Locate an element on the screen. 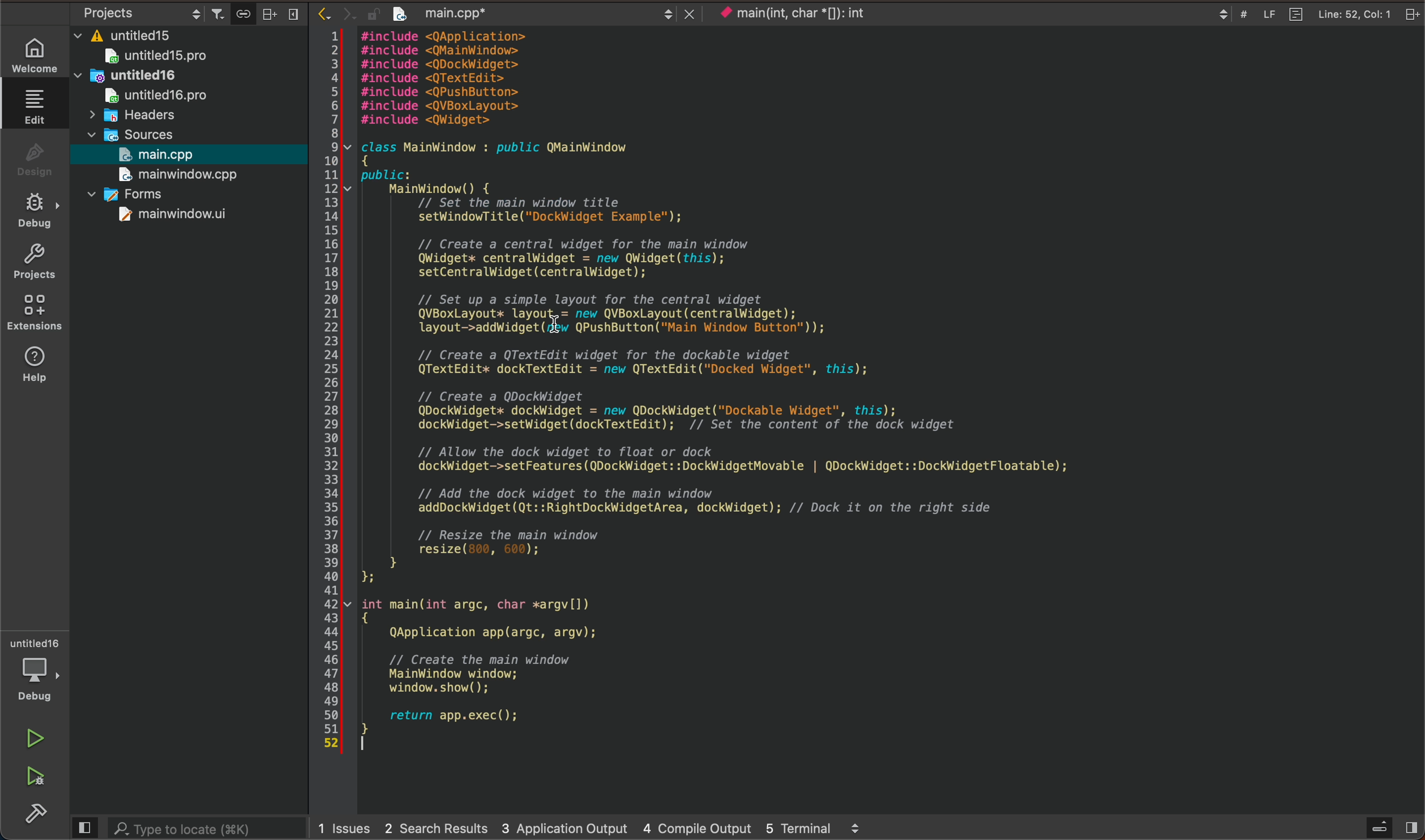 The height and width of the screenshot is (840, 1425). main.cpp is located at coordinates (164, 153).